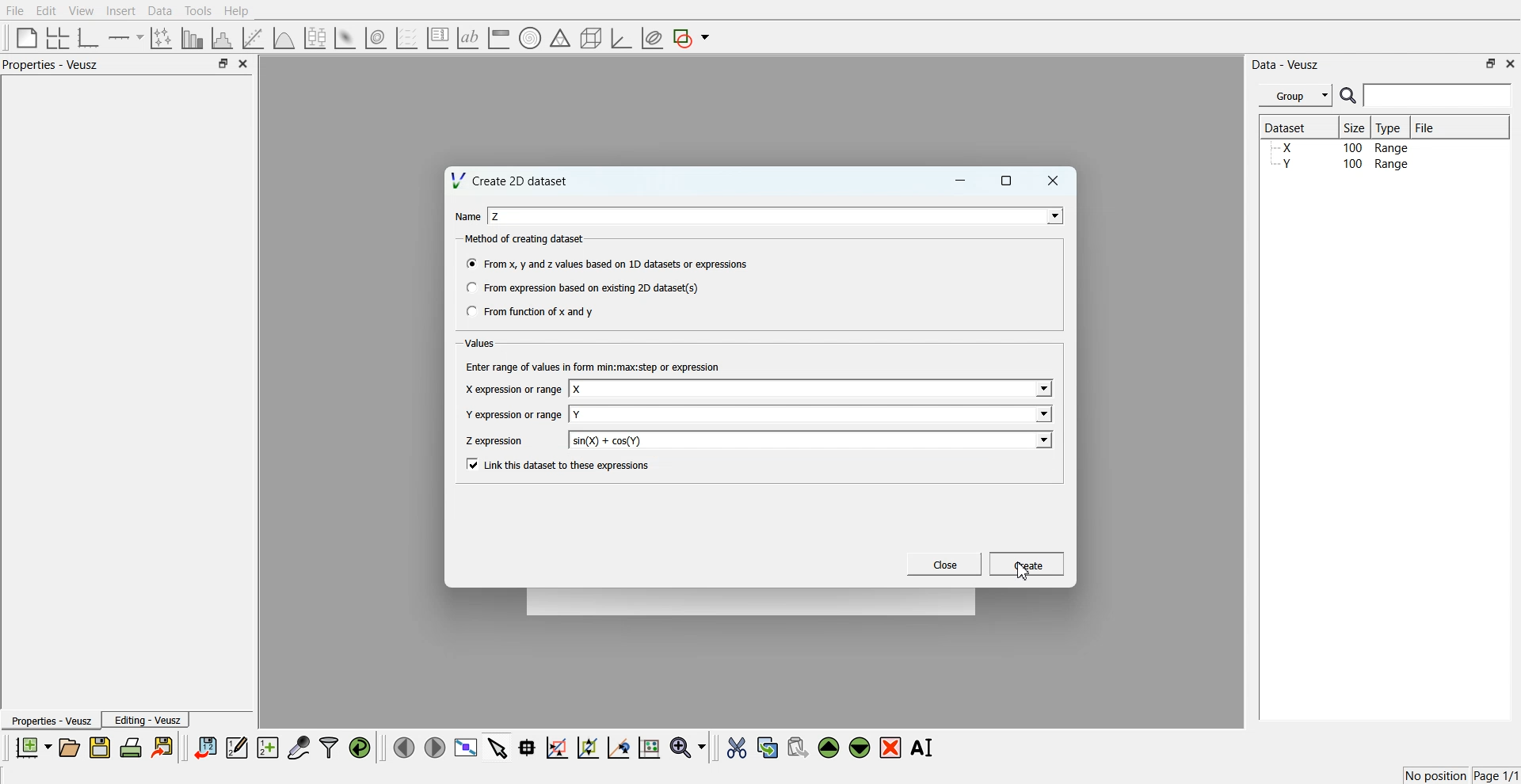 The width and height of the screenshot is (1521, 784). I want to click on View plot full screen, so click(467, 747).